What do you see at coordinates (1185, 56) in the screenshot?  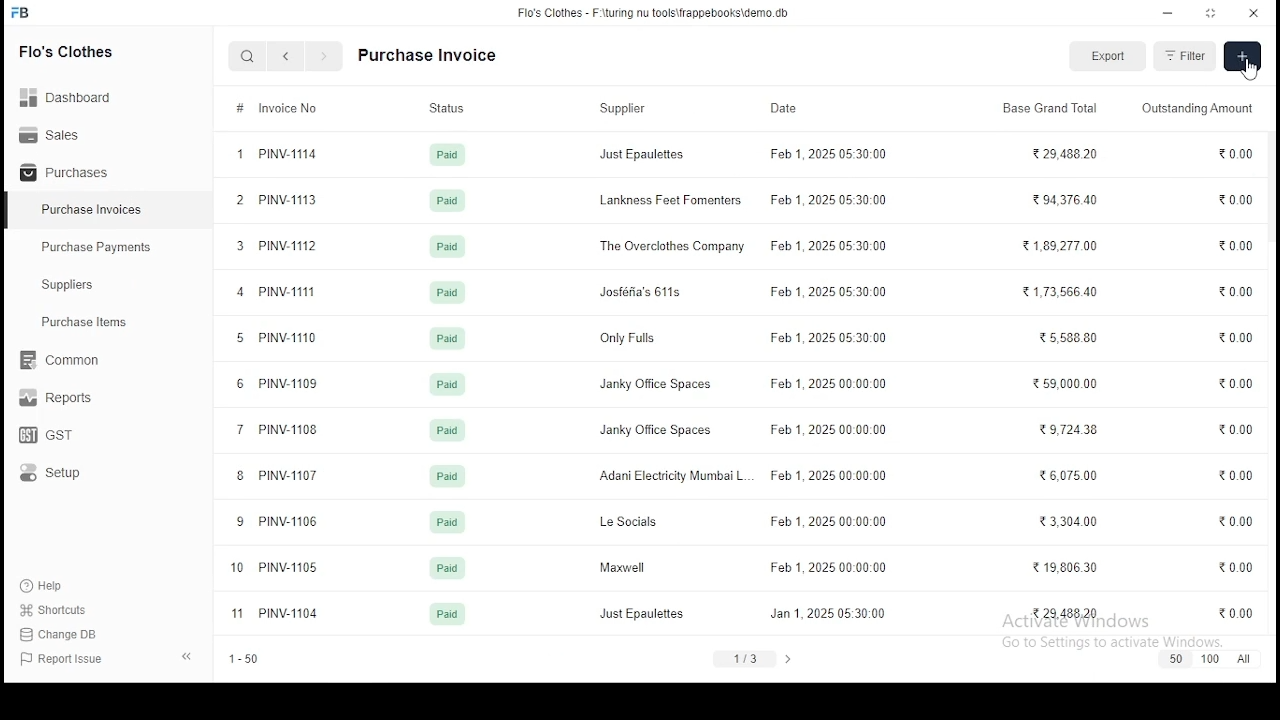 I see `filter` at bounding box center [1185, 56].